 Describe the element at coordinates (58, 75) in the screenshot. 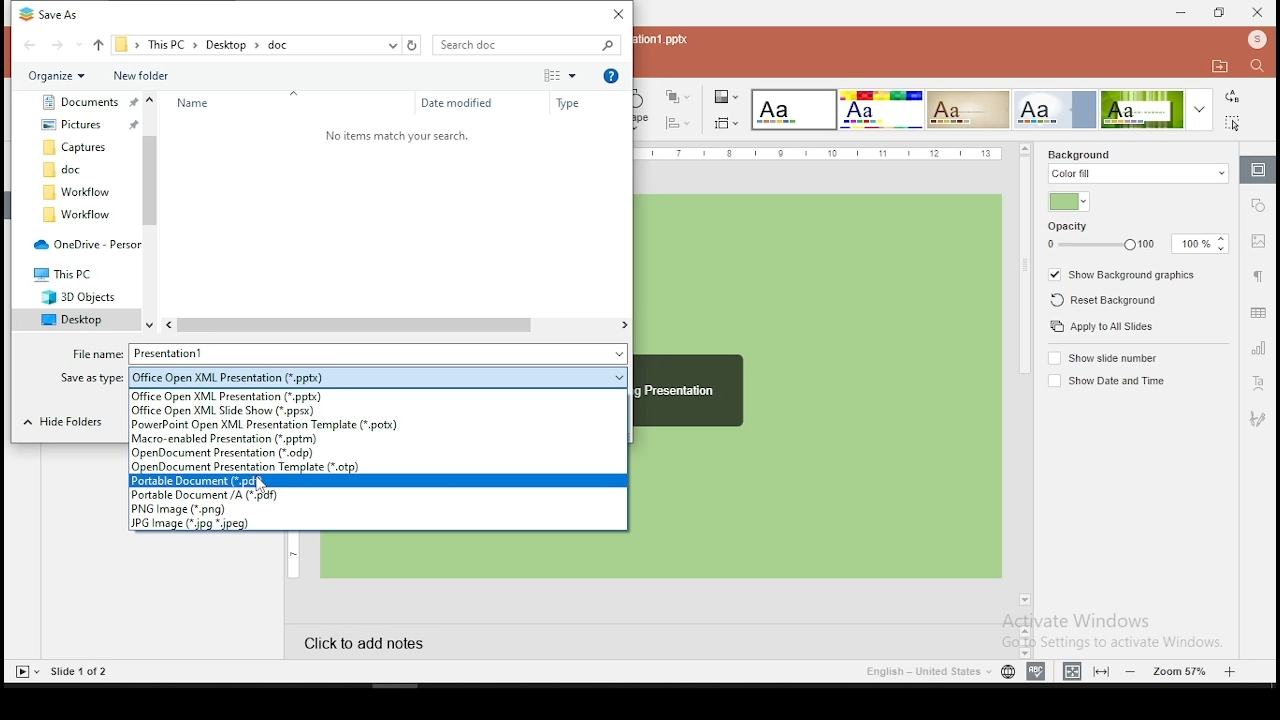

I see `Organize` at that location.